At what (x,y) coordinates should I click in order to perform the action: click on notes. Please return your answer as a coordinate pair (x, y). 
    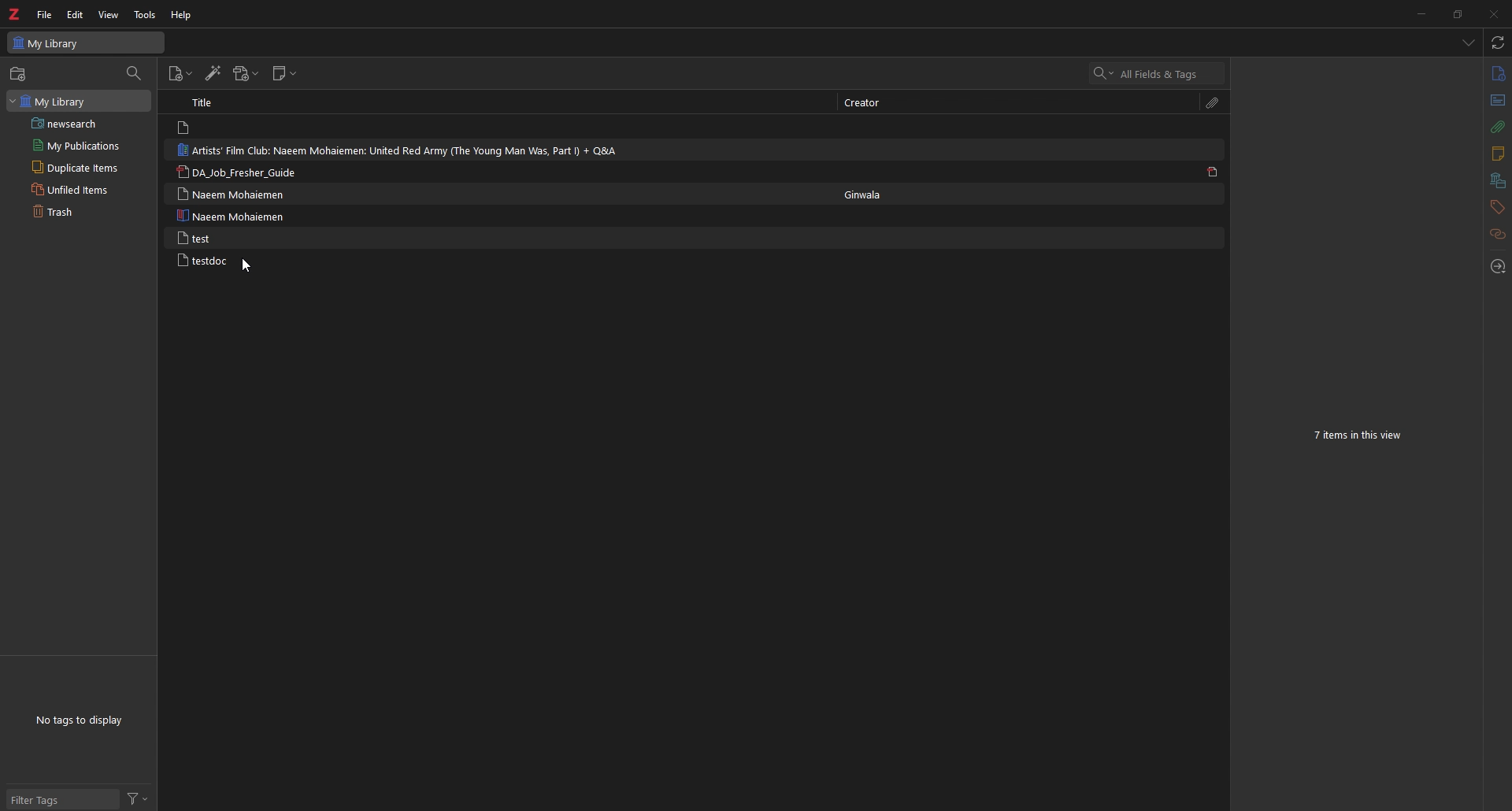
    Looking at the image, I should click on (1498, 155).